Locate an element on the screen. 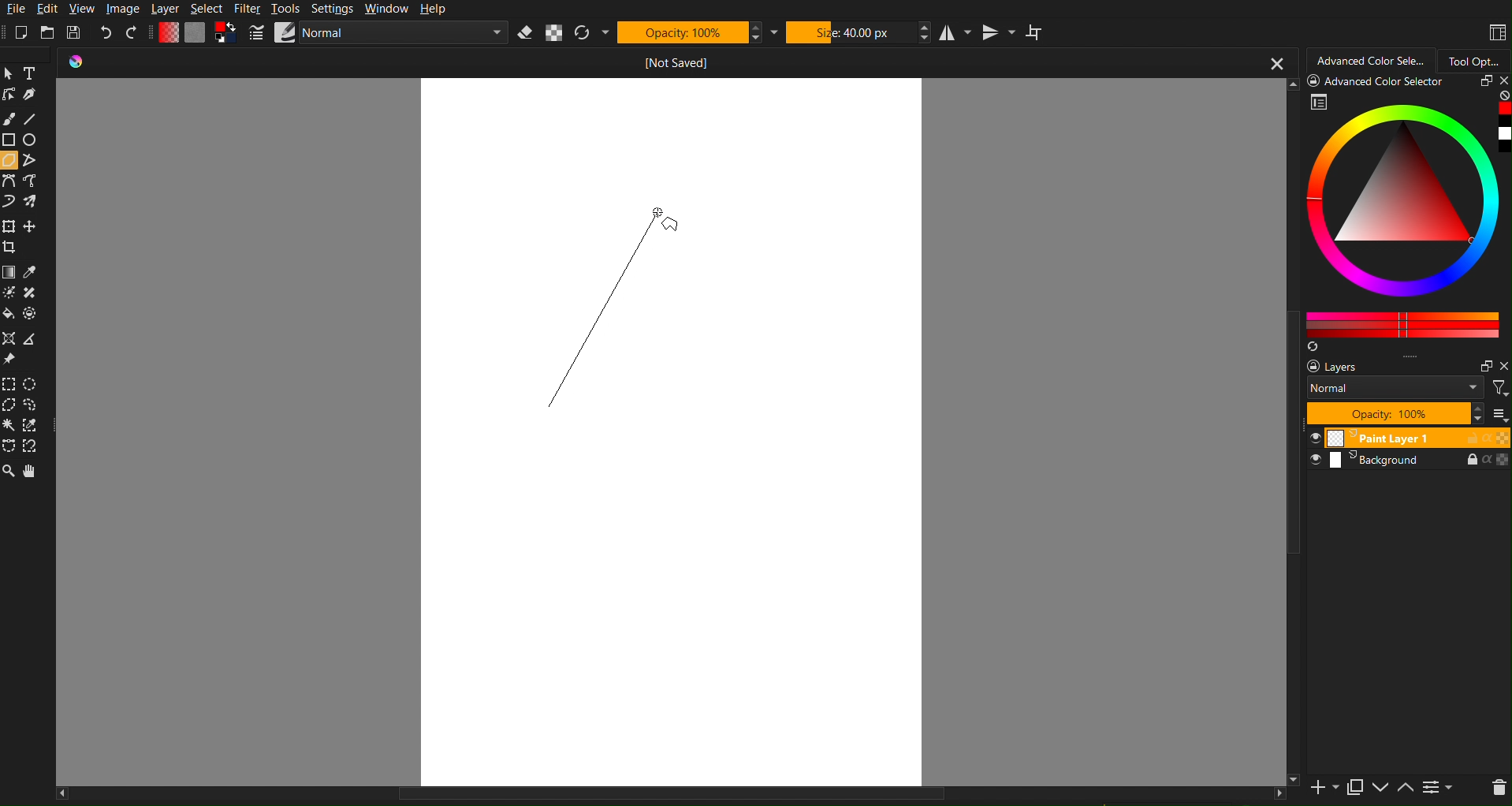 The image size is (1512, 806). Brush Tools is located at coordinates (10, 118).